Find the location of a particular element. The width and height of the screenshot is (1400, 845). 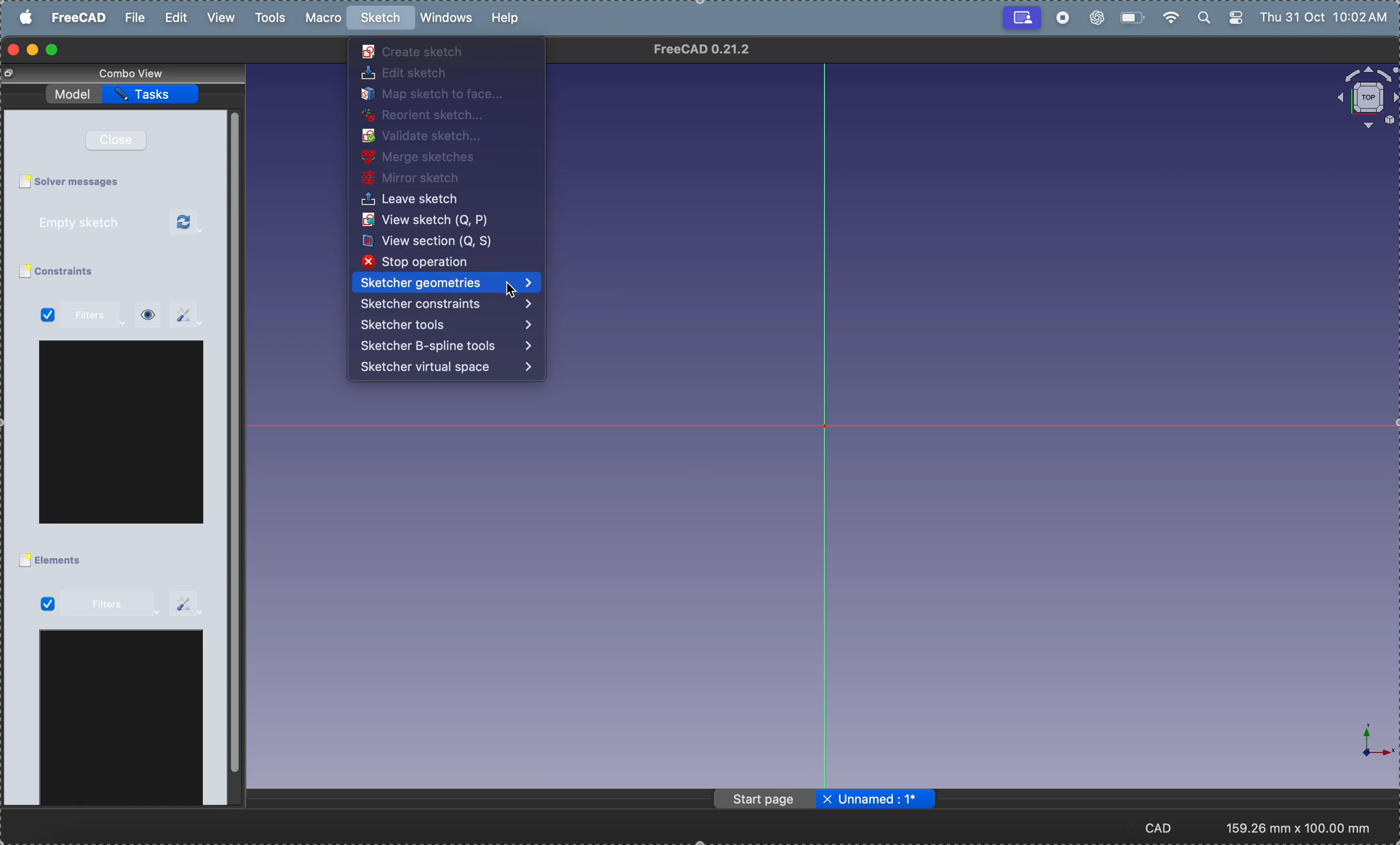

filters is located at coordinates (110, 605).